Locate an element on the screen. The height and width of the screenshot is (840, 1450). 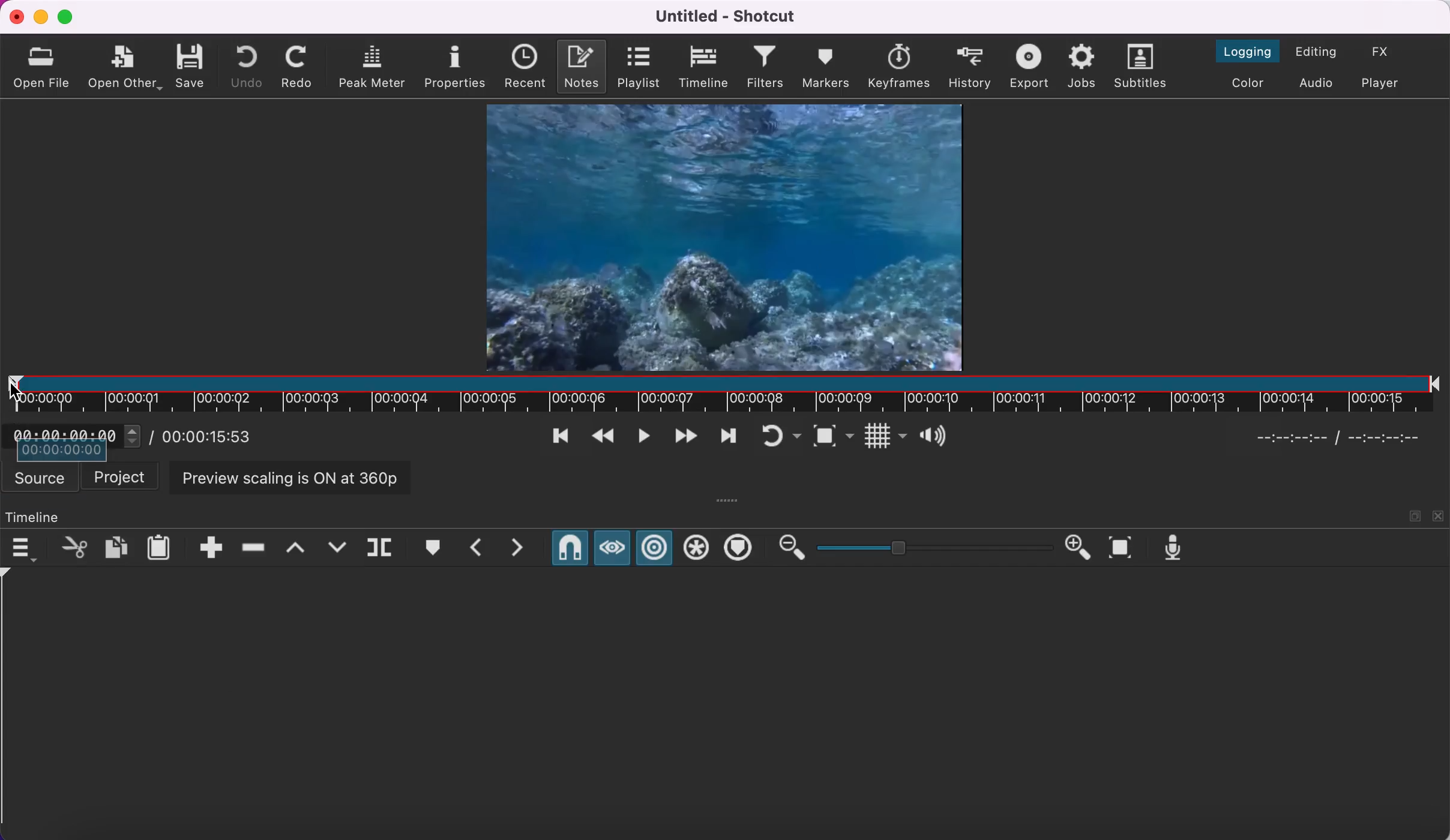
ripple delete is located at coordinates (252, 548).